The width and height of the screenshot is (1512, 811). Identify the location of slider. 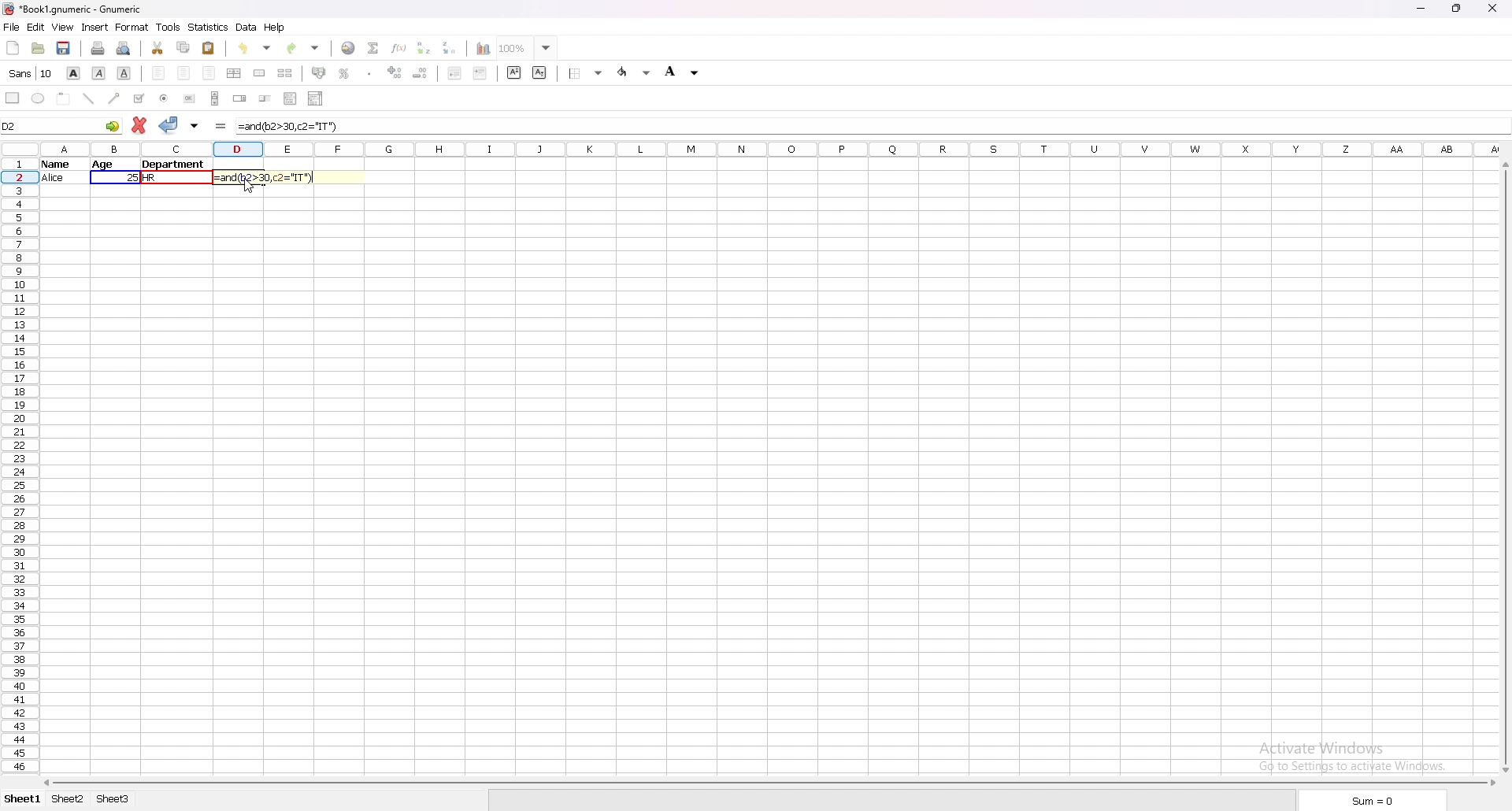
(265, 100).